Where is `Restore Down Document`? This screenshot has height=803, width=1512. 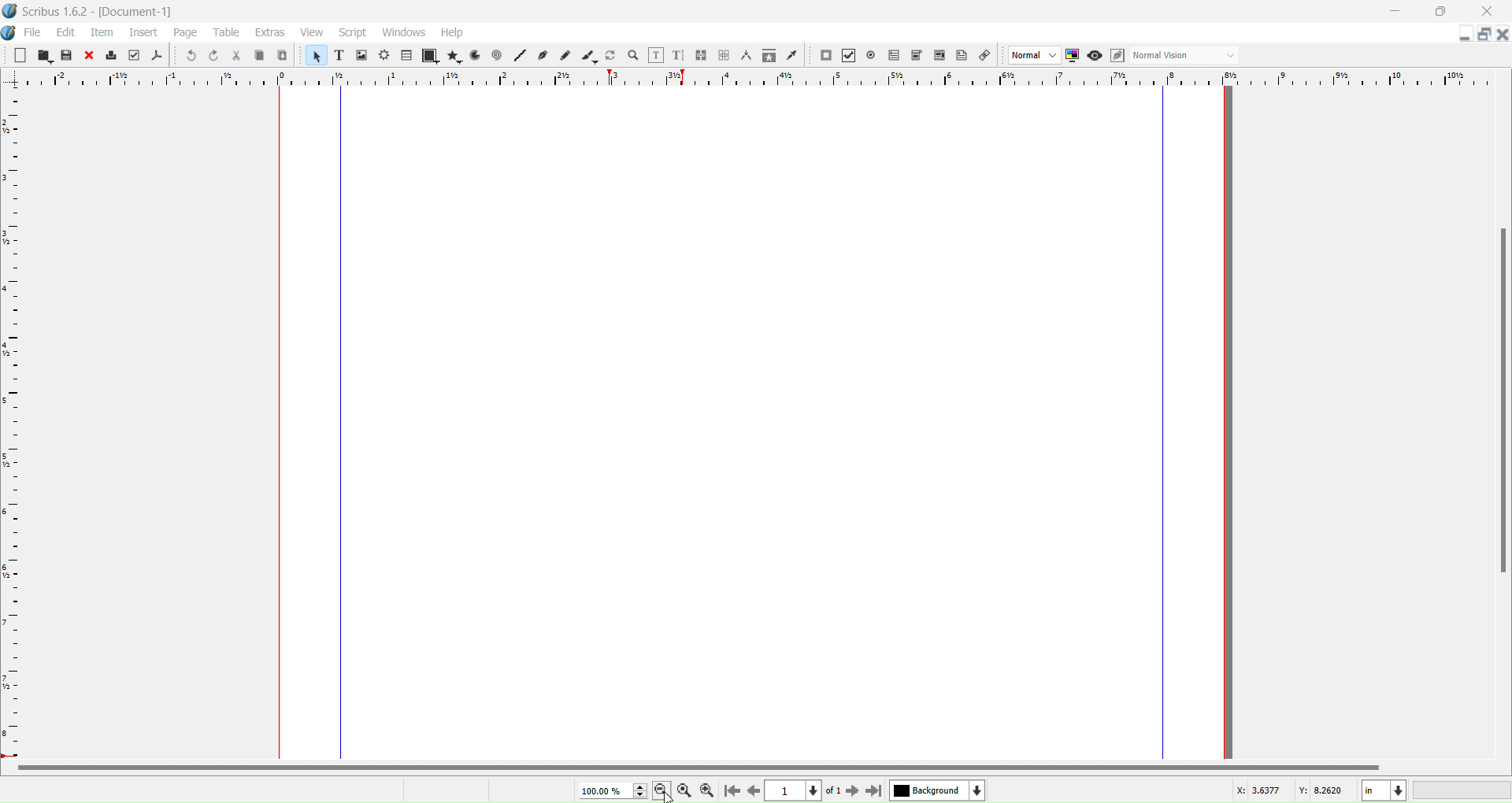 Restore Down Document is located at coordinates (1484, 34).